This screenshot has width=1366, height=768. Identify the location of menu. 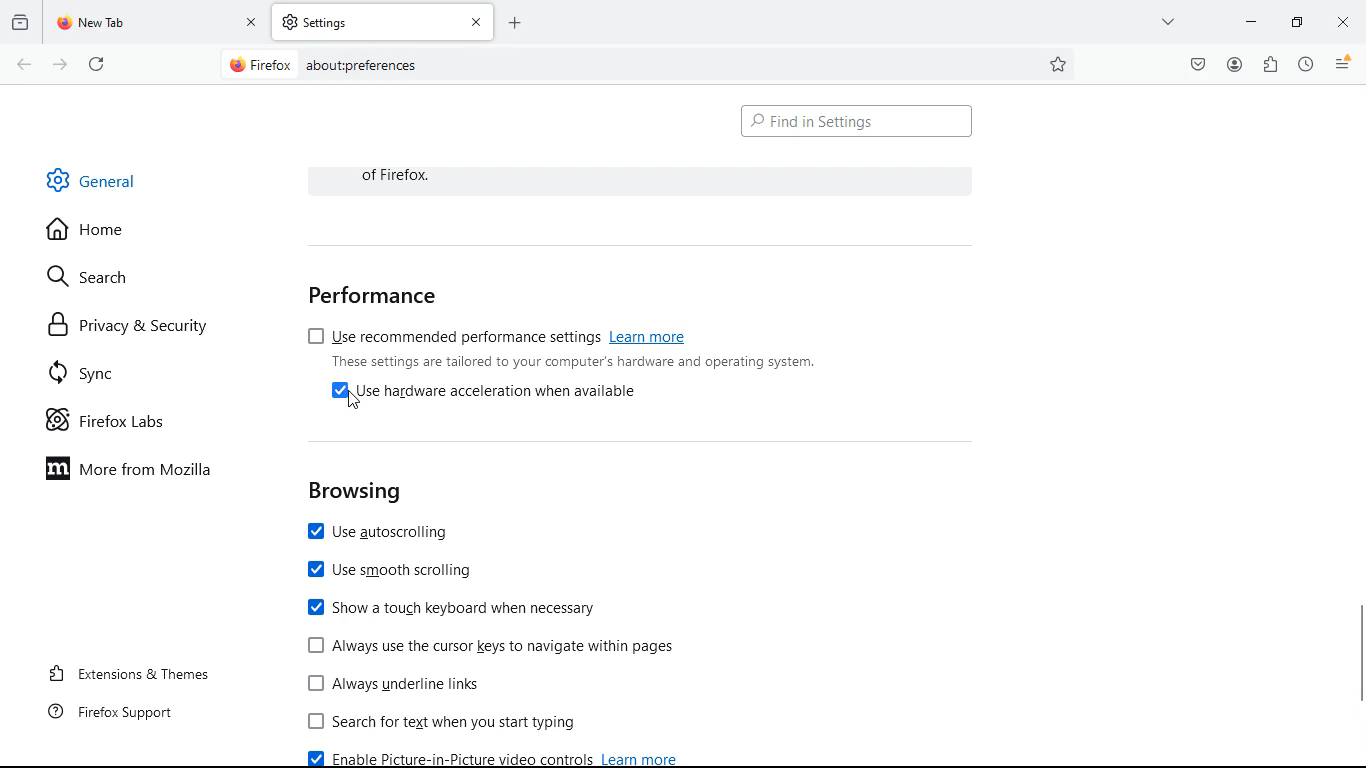
(1344, 64).